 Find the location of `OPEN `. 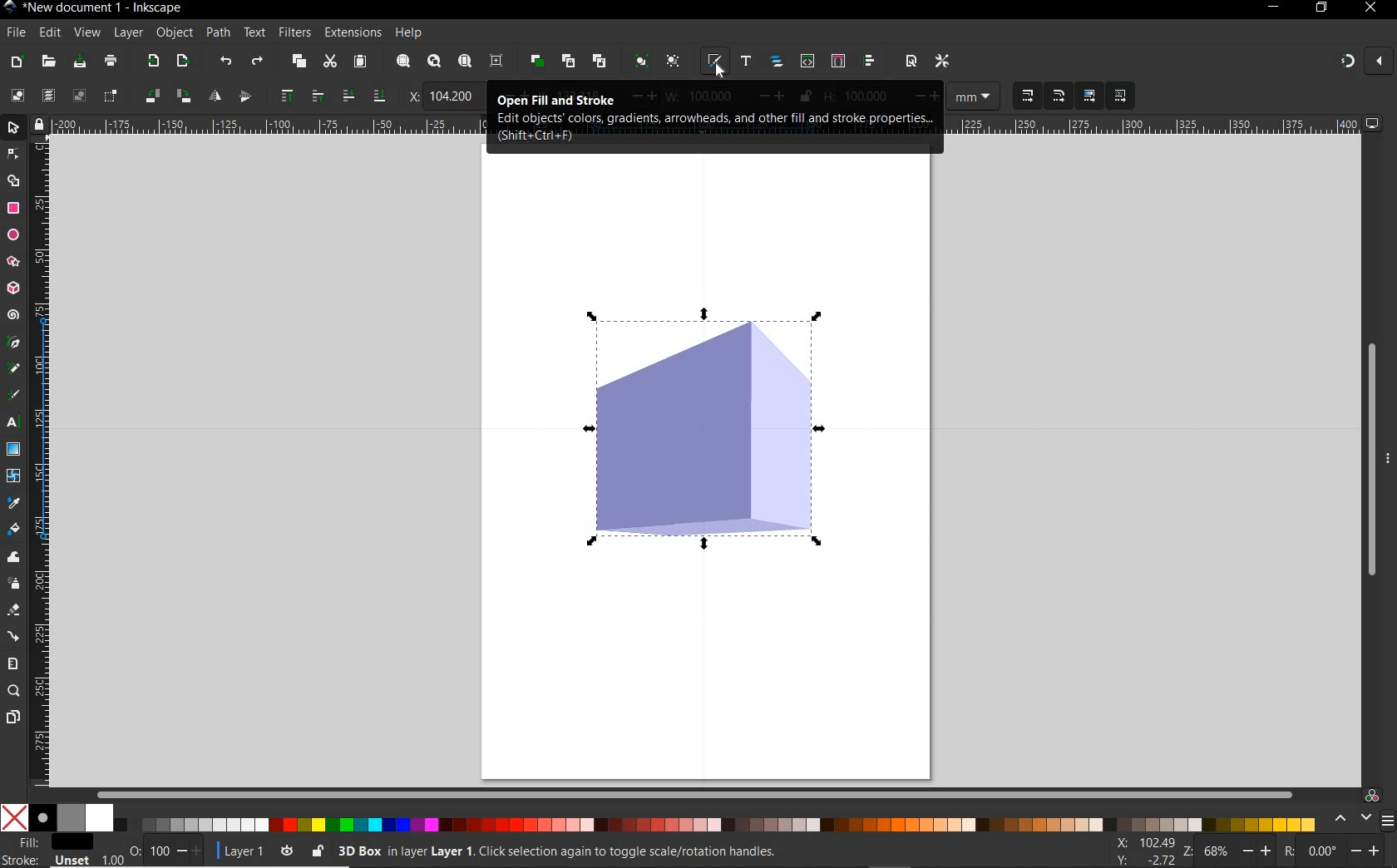

OPEN  is located at coordinates (47, 62).